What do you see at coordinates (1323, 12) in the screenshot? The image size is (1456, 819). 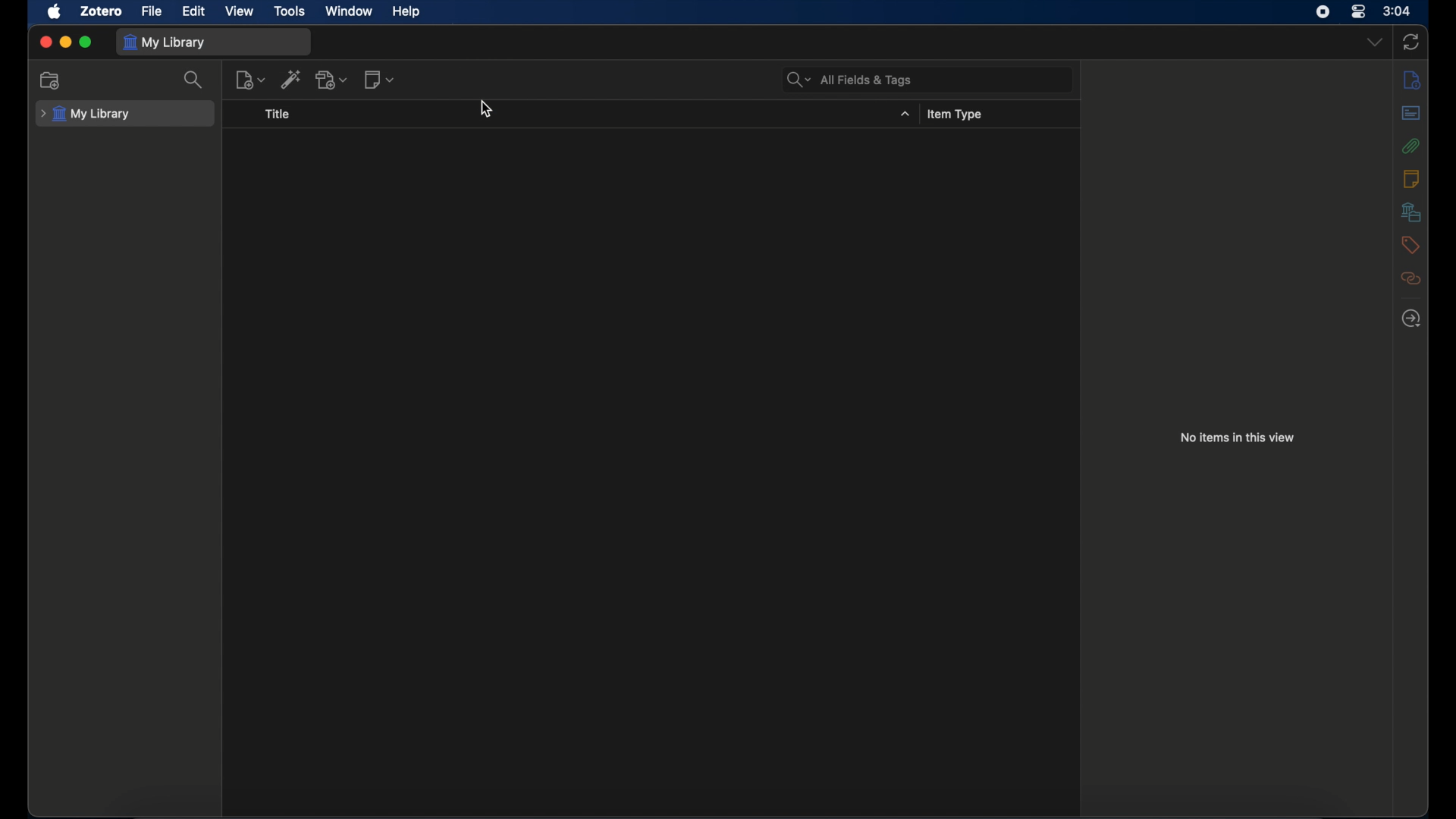 I see `screen recorder` at bounding box center [1323, 12].